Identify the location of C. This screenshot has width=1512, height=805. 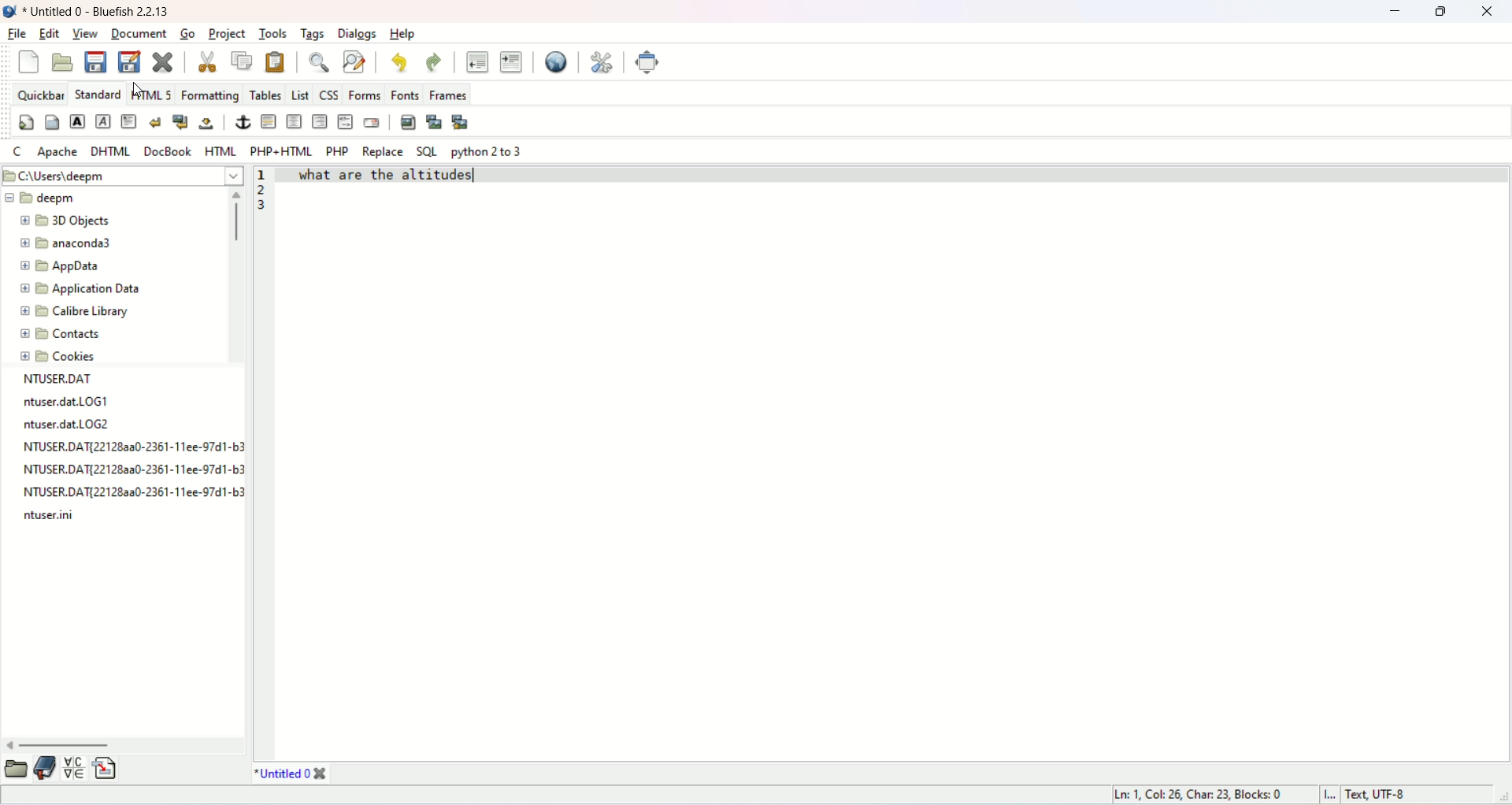
(16, 151).